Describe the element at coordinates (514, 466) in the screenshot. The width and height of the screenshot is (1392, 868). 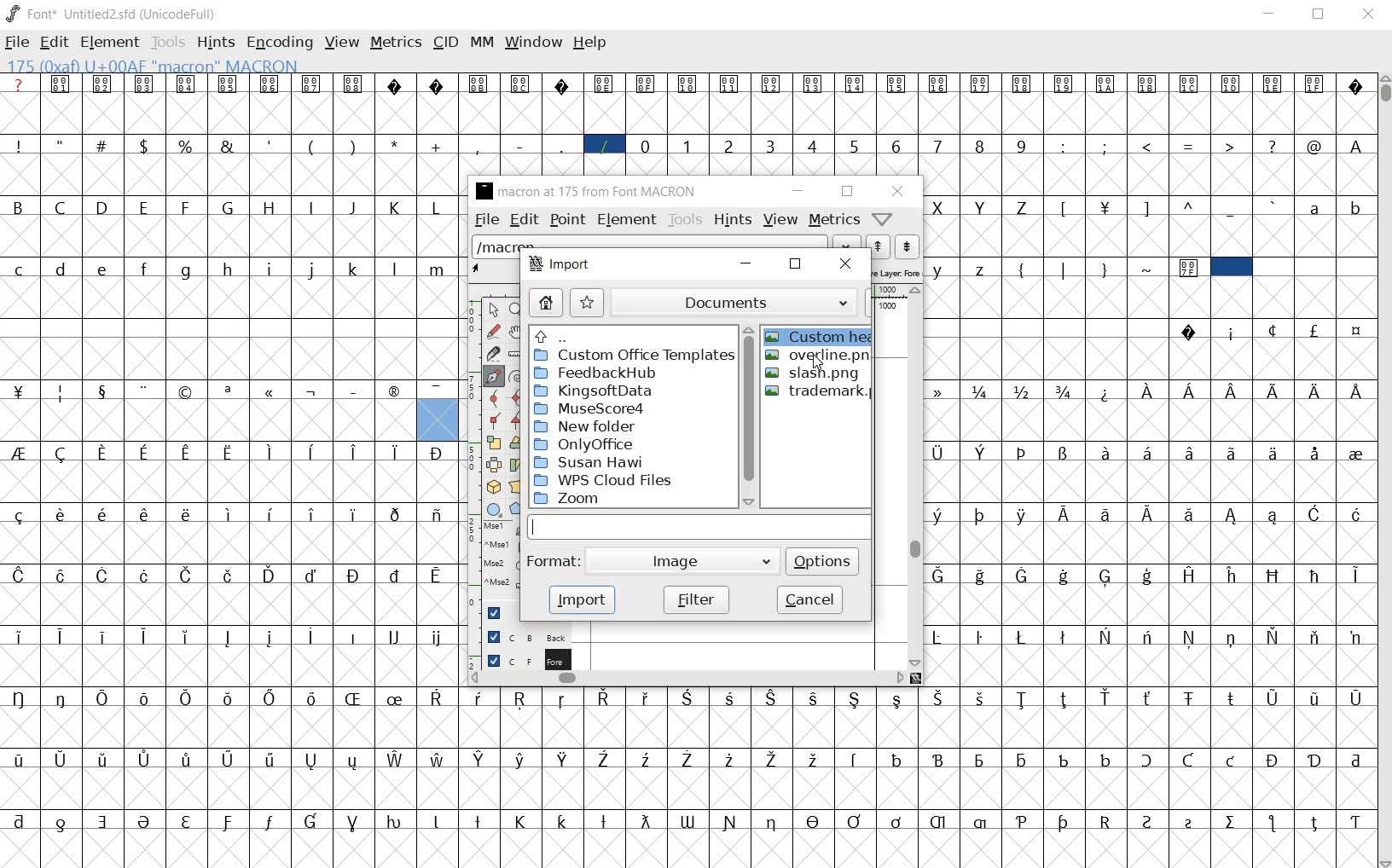
I see `skew` at that location.